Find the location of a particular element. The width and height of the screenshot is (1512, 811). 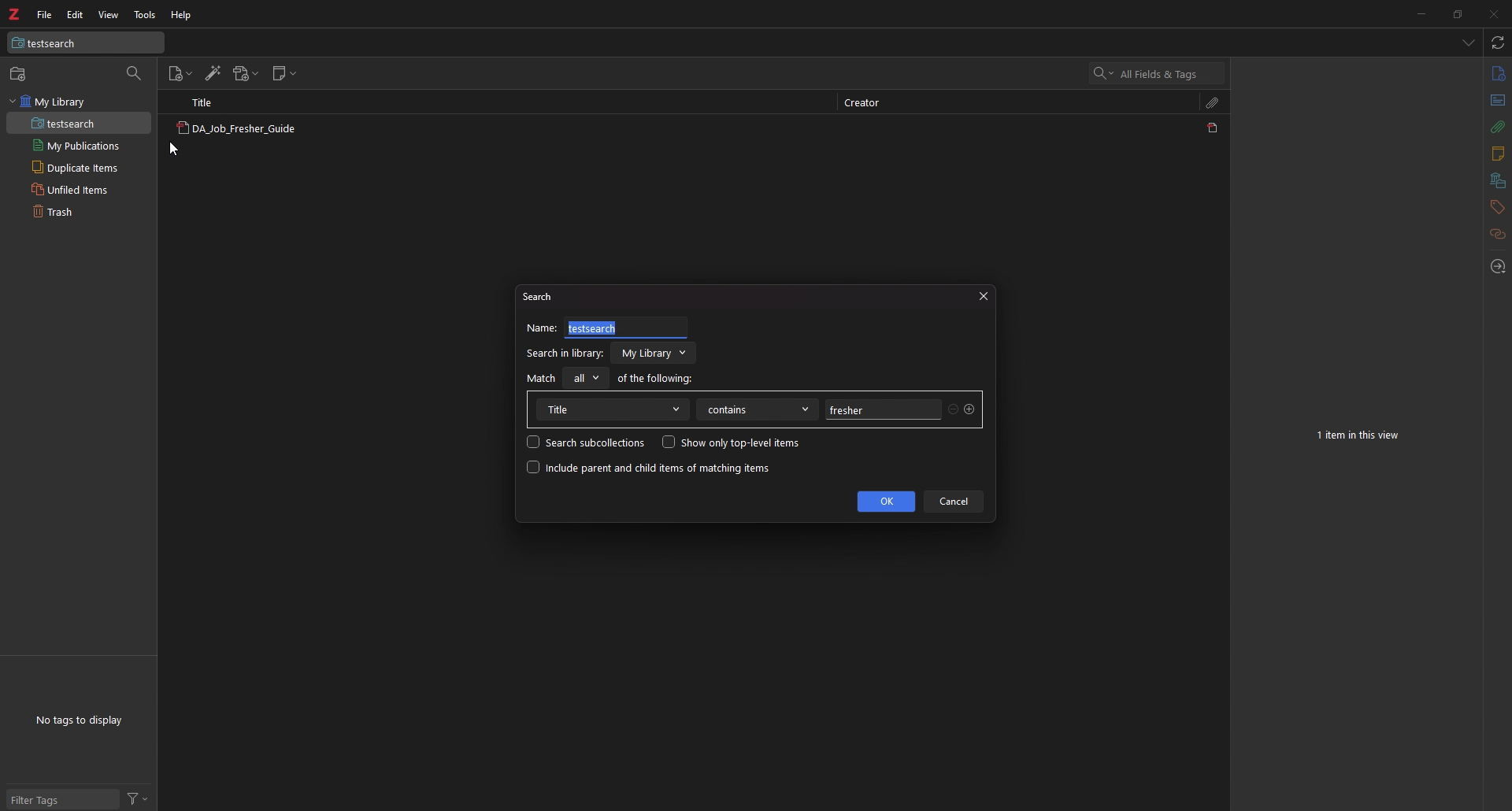

library is located at coordinates (655, 353).